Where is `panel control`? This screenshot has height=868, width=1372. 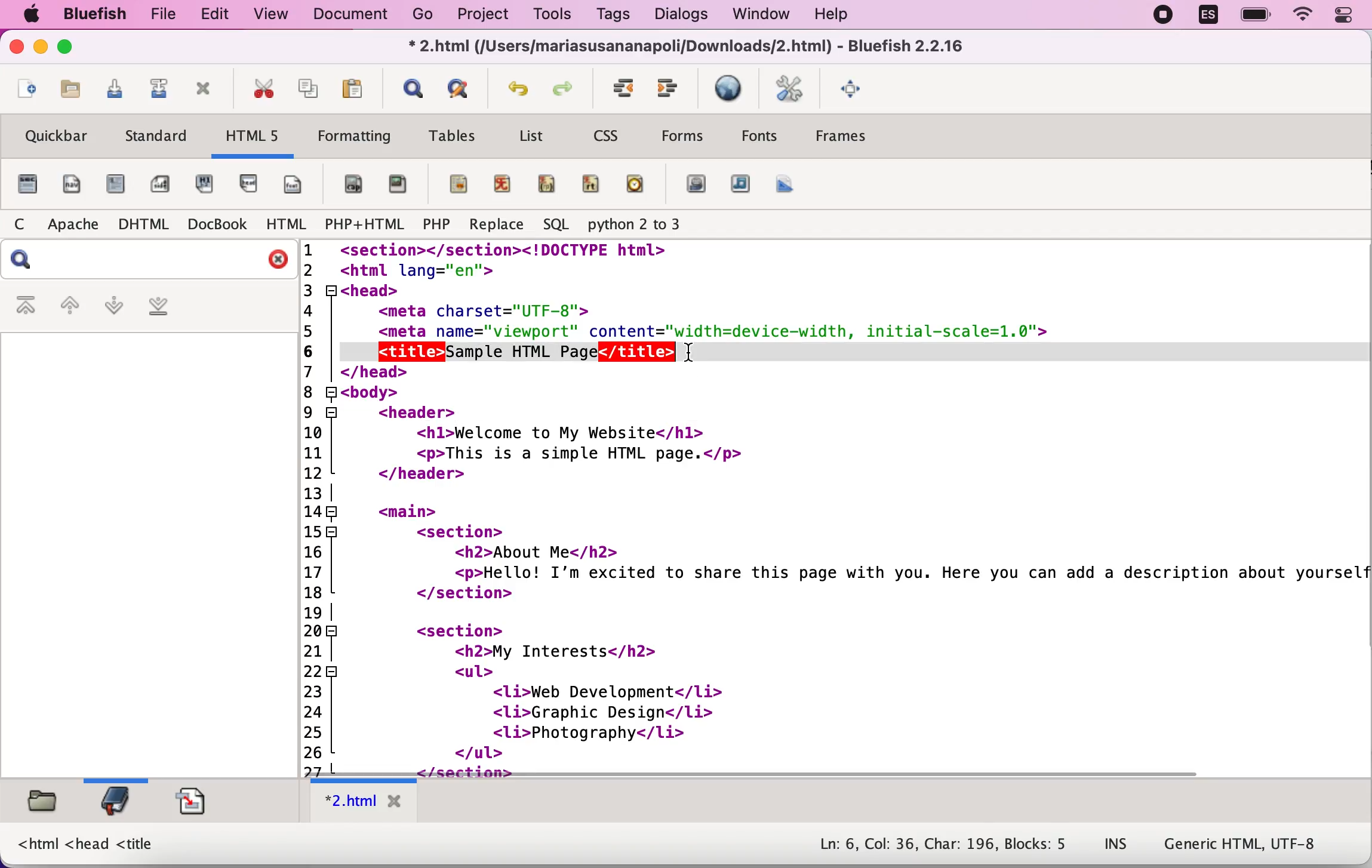 panel control is located at coordinates (1344, 16).